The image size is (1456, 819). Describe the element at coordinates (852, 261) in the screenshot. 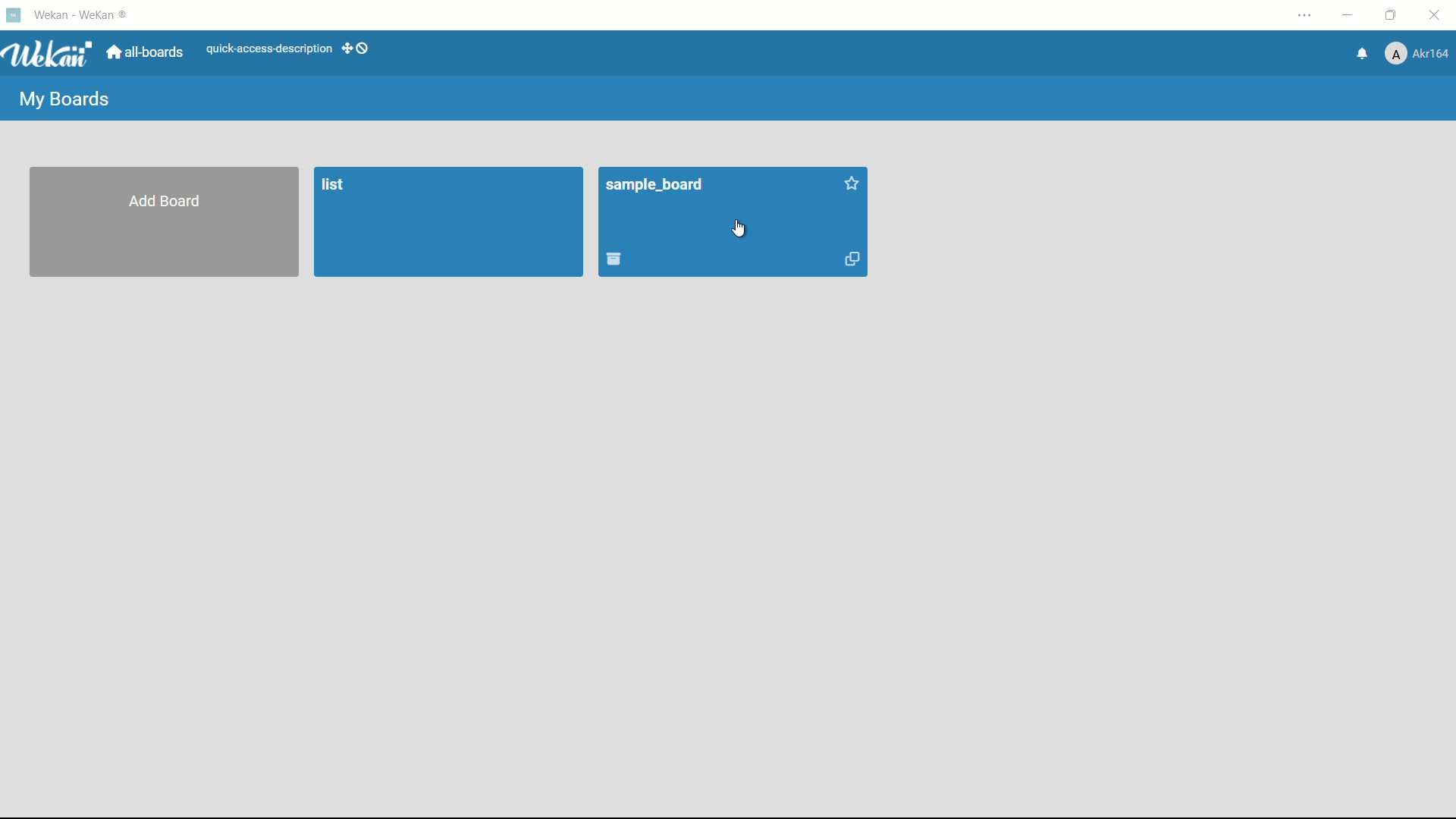

I see `duplicate board` at that location.